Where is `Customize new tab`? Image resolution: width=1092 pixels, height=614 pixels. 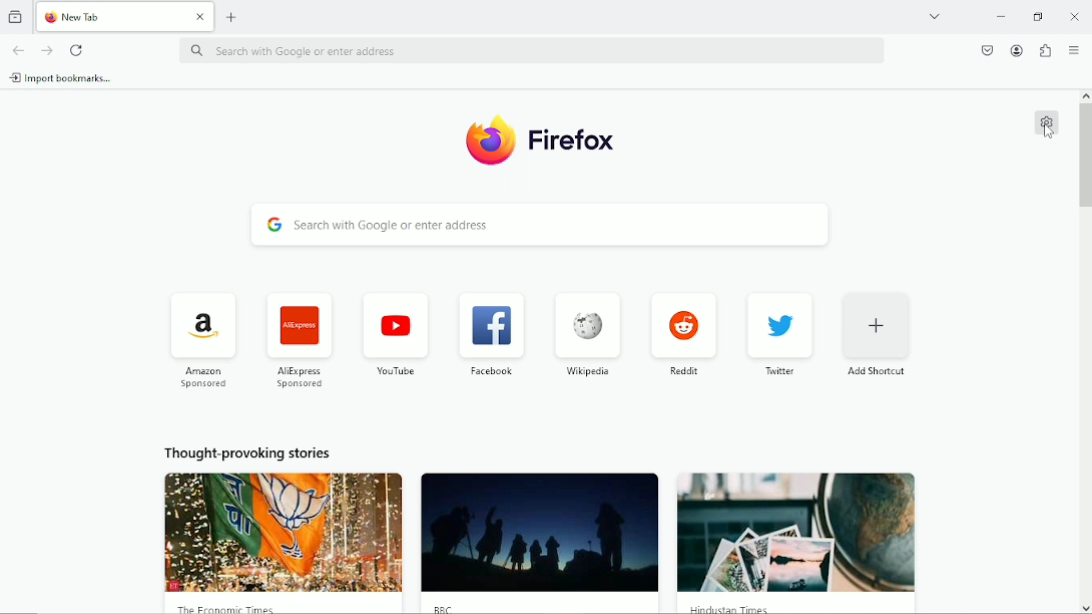 Customize new tab is located at coordinates (1046, 118).